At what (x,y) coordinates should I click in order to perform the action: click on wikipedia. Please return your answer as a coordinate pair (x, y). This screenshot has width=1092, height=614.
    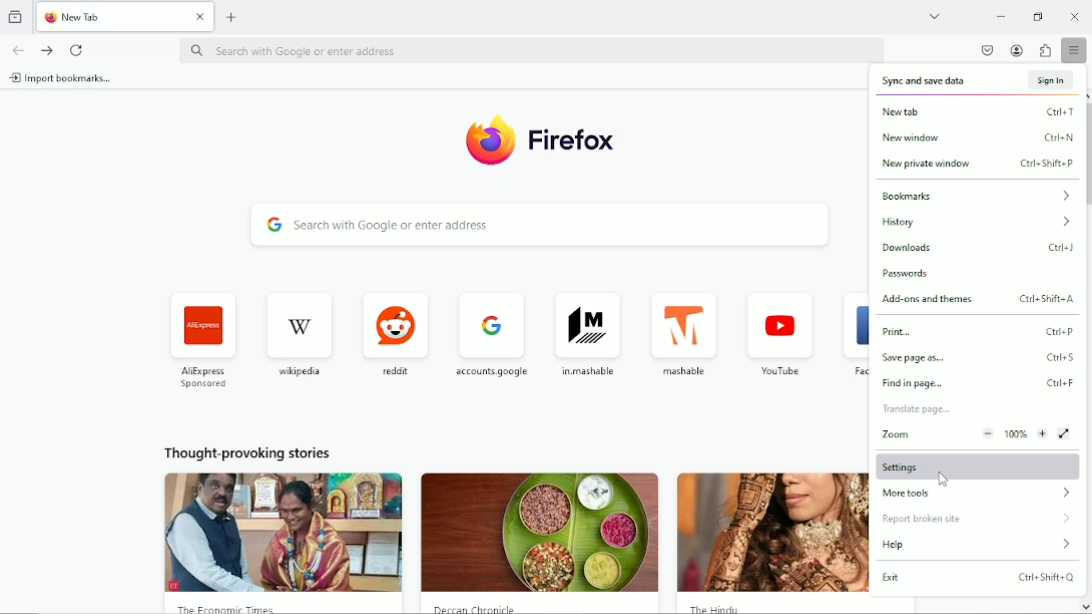
    Looking at the image, I should click on (300, 331).